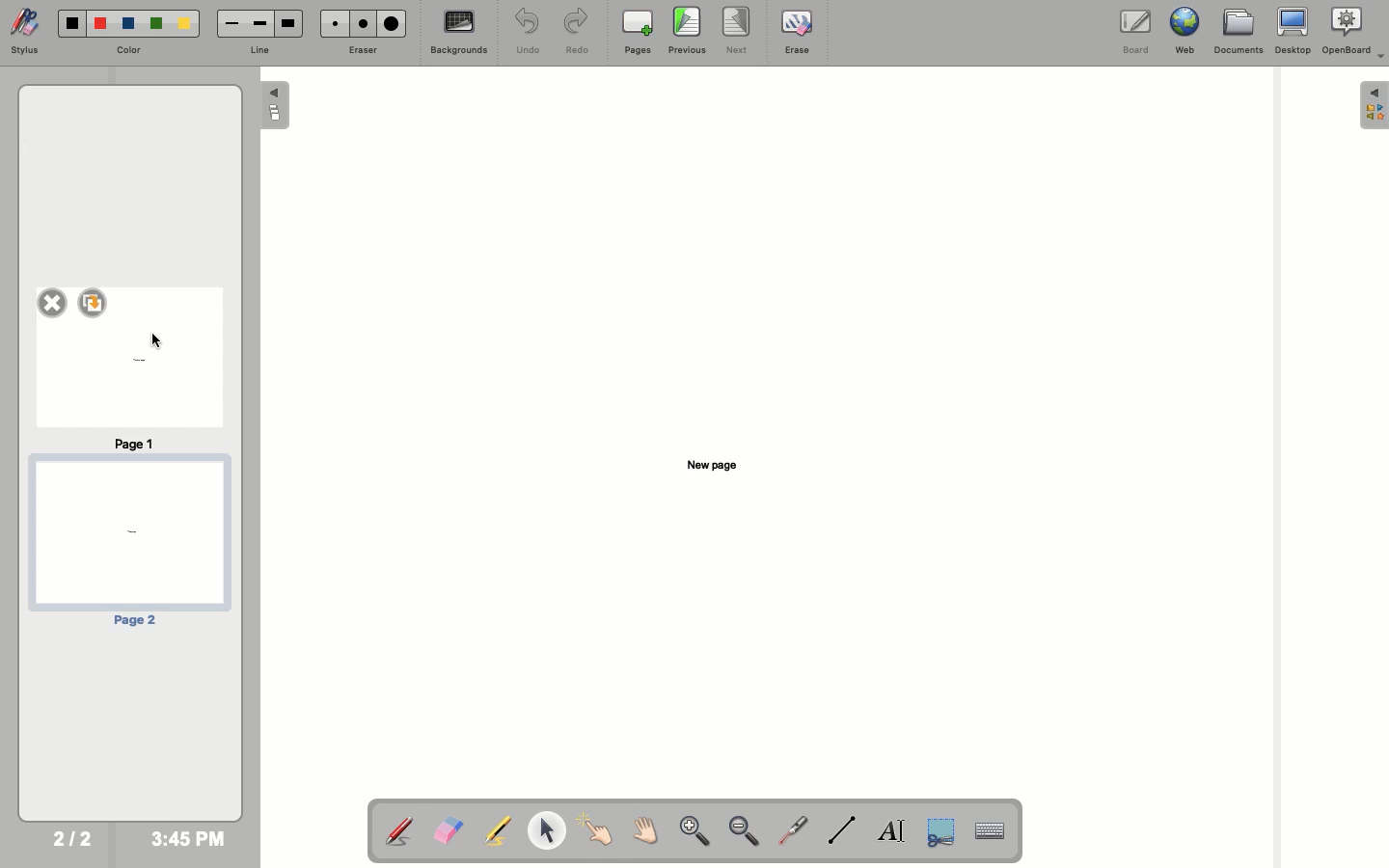  What do you see at coordinates (277, 107) in the screenshot?
I see `The flatplan (left panel)` at bounding box center [277, 107].